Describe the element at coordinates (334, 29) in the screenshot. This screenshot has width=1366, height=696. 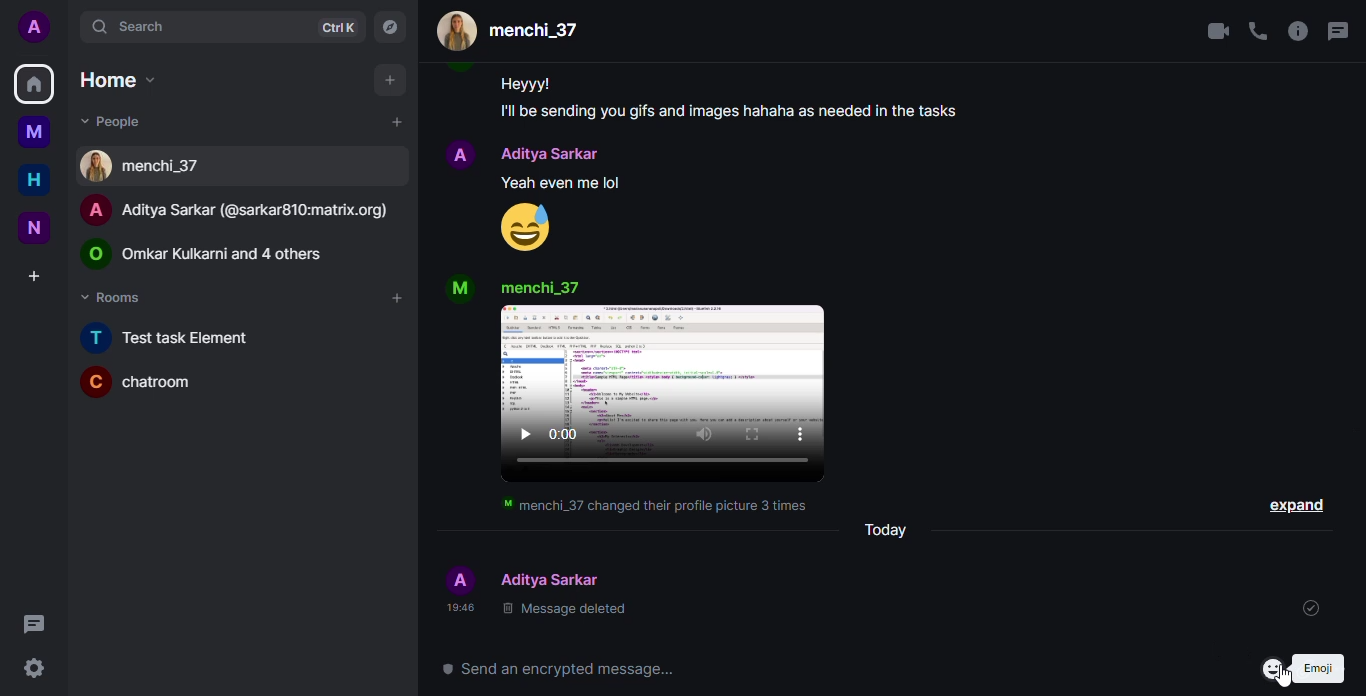
I see `ctrlK` at that location.